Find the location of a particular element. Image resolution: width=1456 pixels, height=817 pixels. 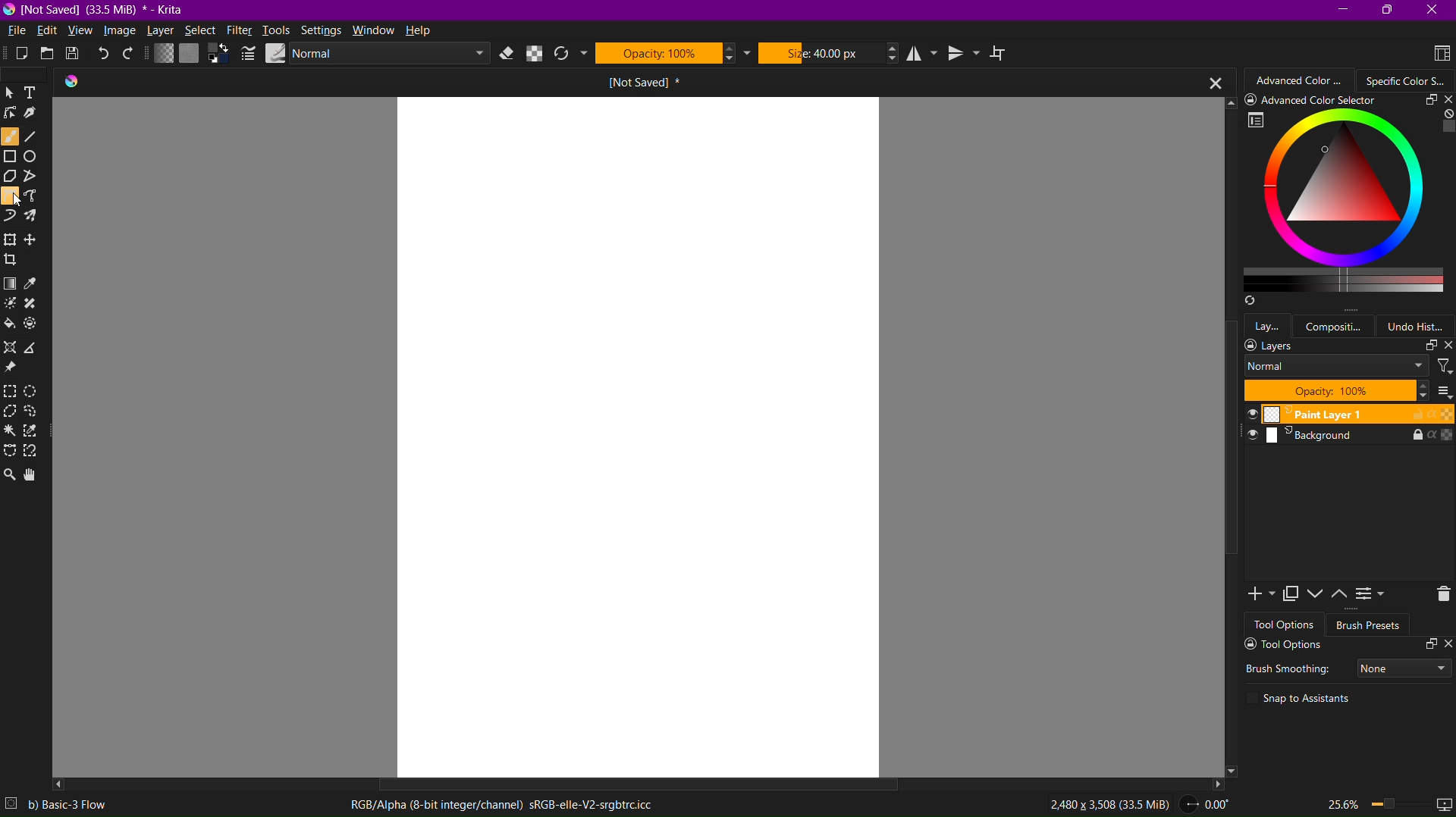

View is located at coordinates (80, 32).